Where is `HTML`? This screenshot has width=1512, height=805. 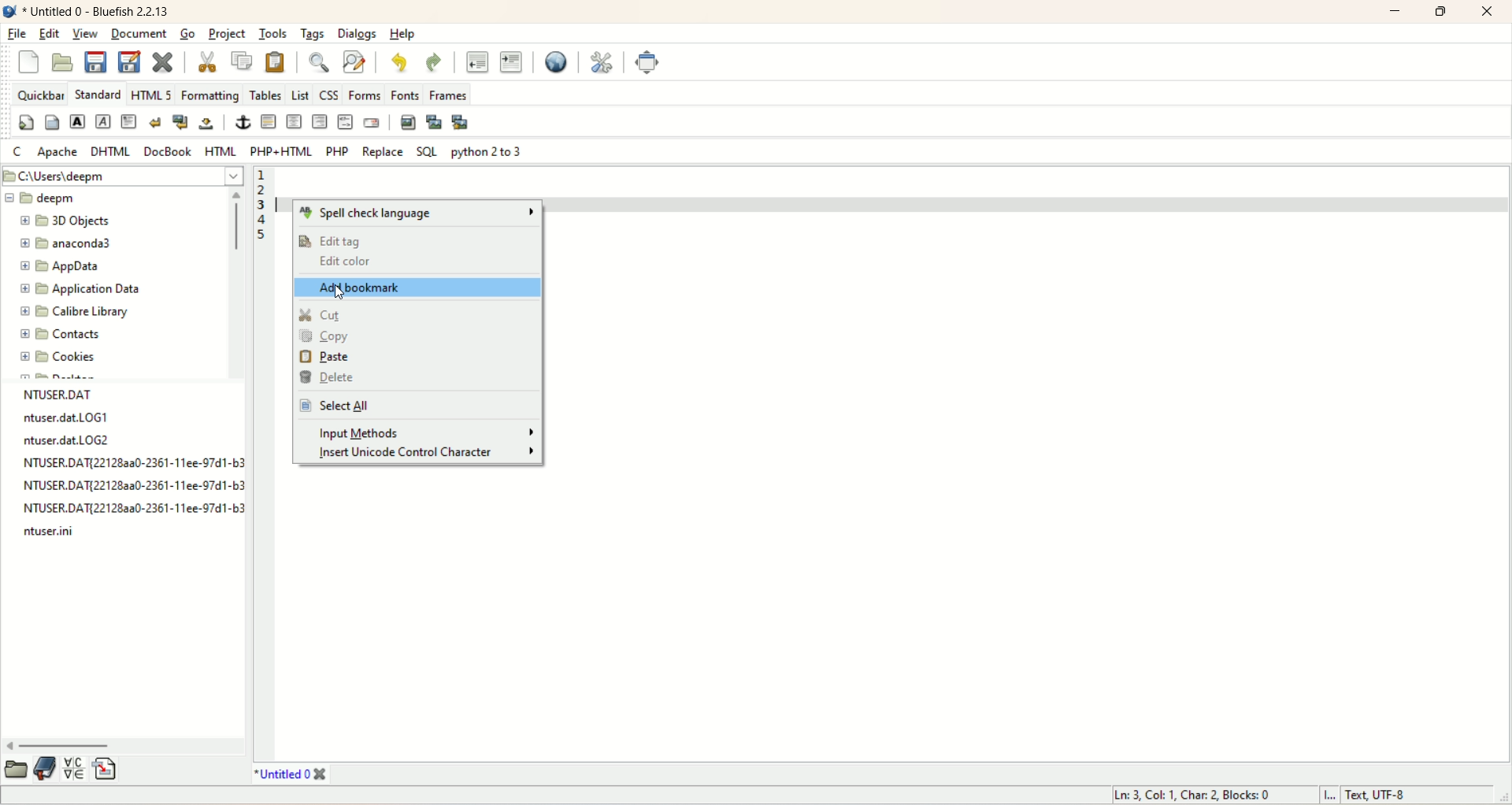 HTML is located at coordinates (224, 152).